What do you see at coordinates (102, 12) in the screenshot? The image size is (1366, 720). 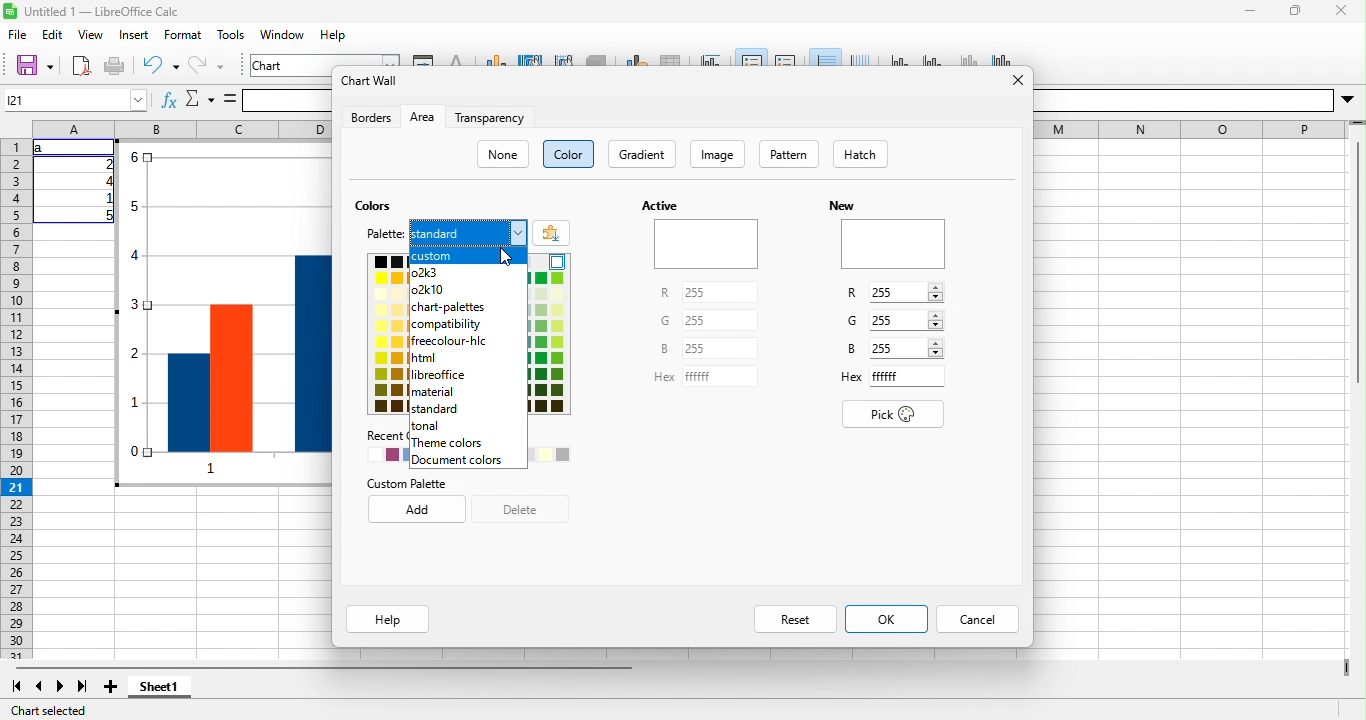 I see `Untitled 1 — LibreOffice Calc` at bounding box center [102, 12].